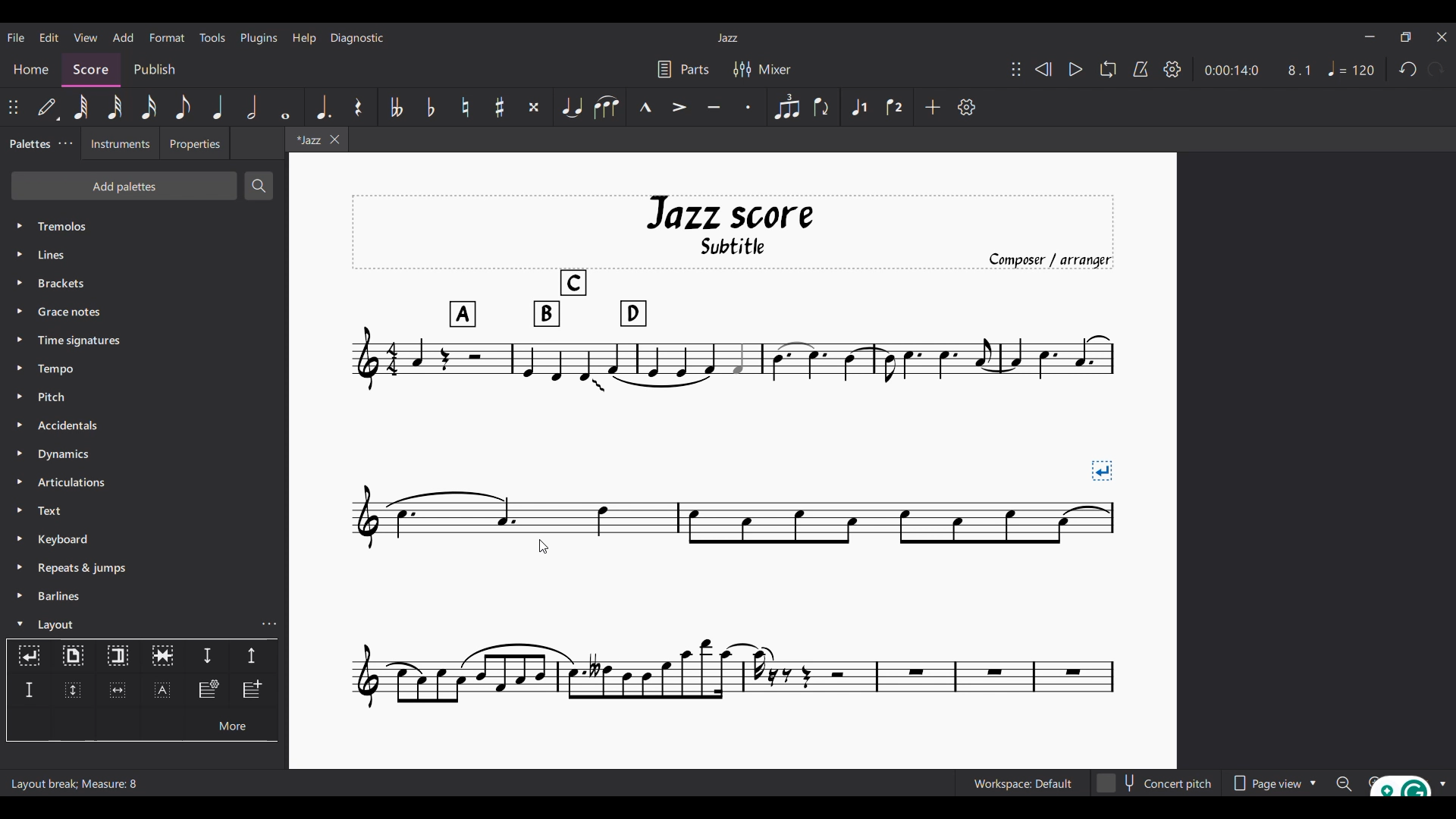 This screenshot has width=1456, height=819. I want to click on View menu, so click(86, 37).